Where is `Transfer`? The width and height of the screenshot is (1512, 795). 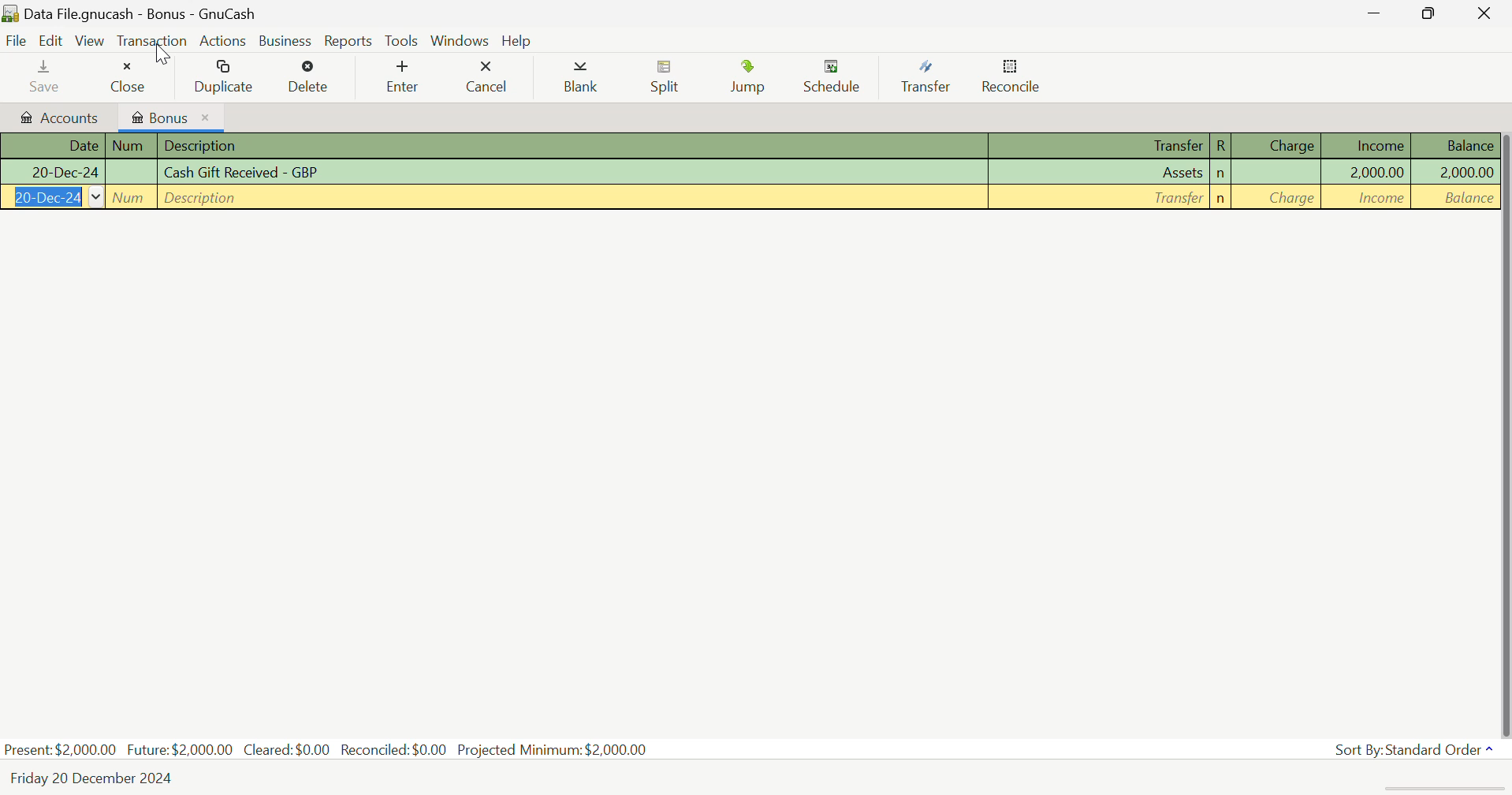 Transfer is located at coordinates (1103, 198).